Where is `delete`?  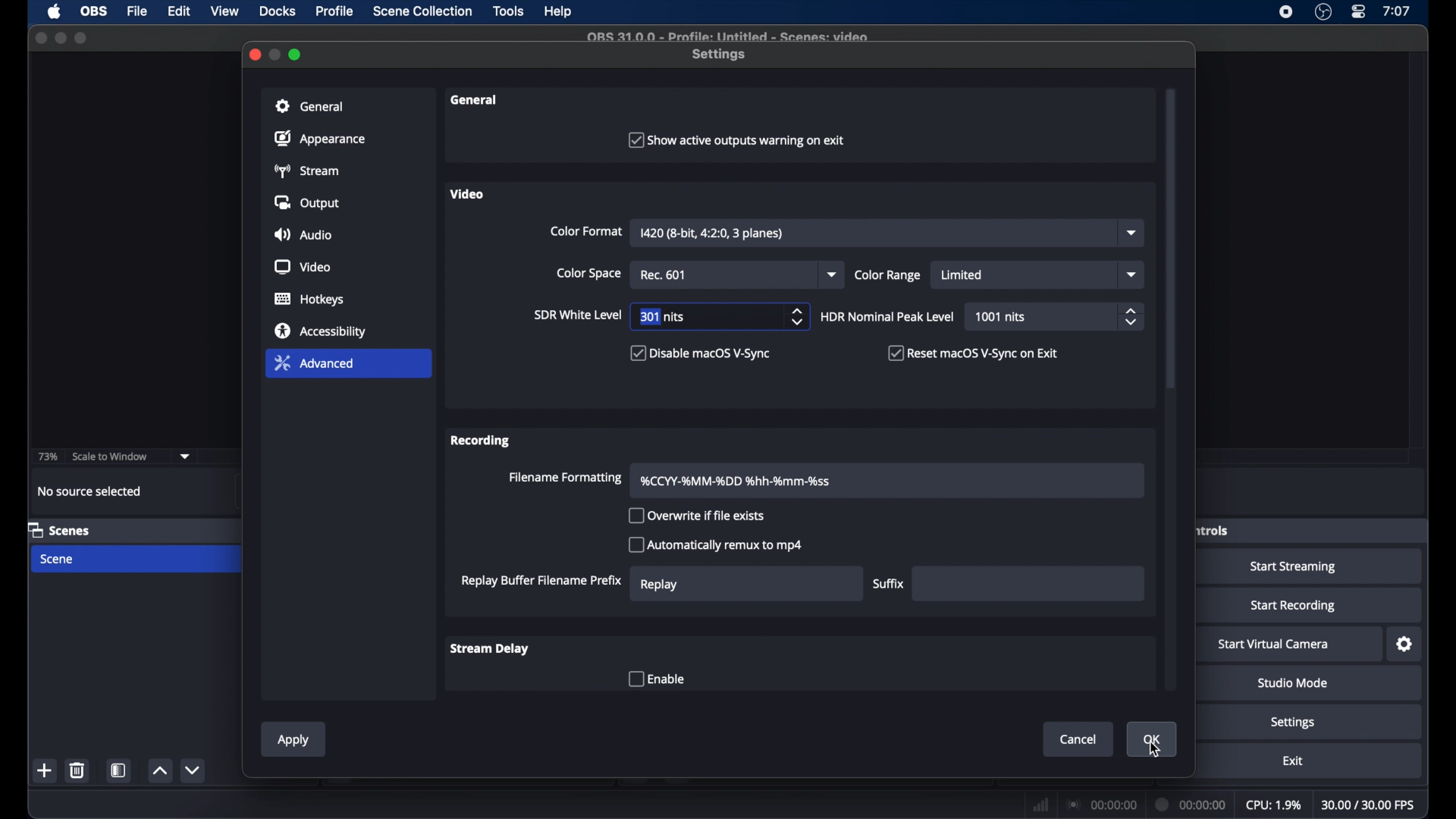 delete is located at coordinates (77, 770).